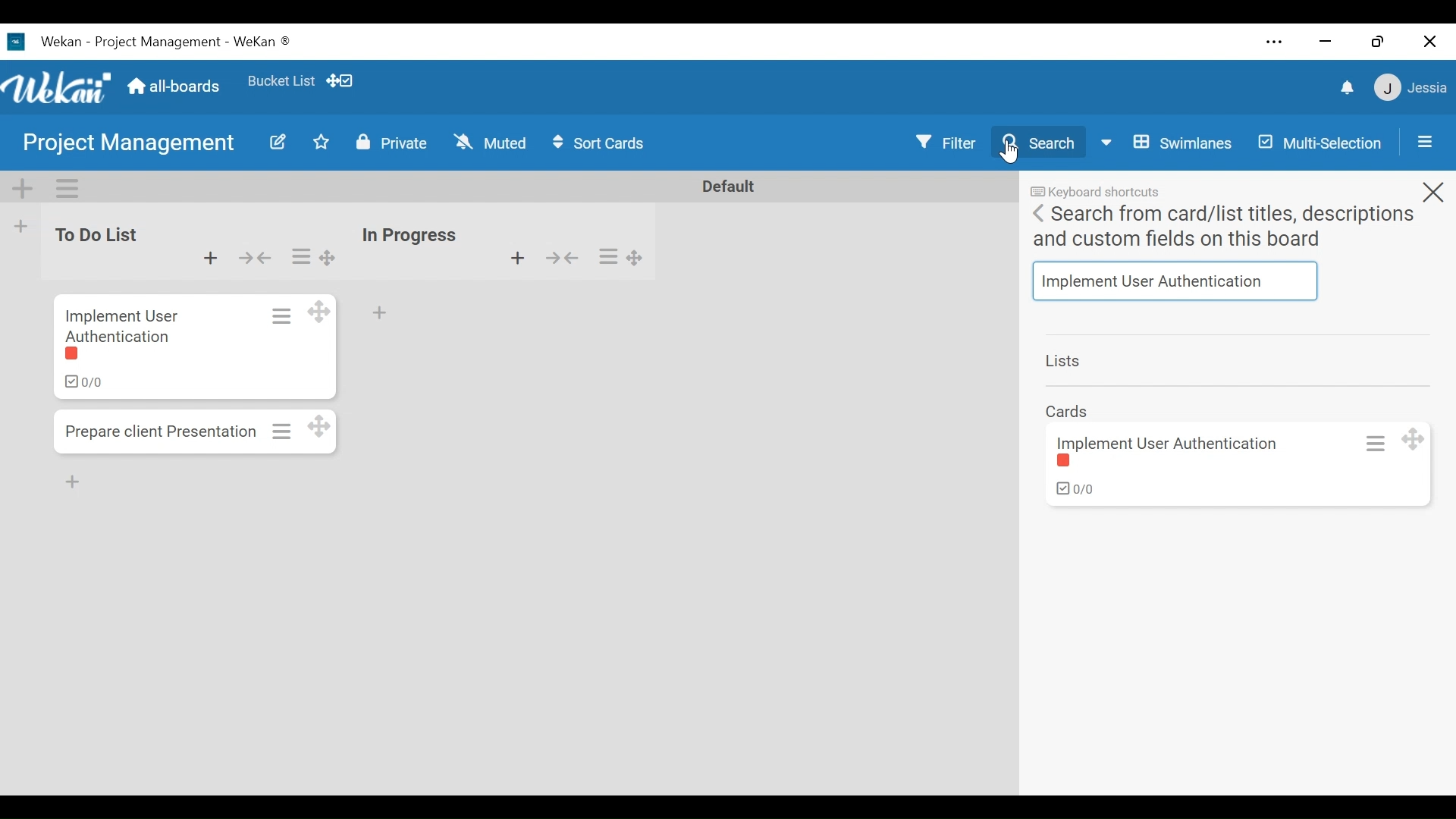 This screenshot has height=819, width=1456. I want to click on Implement user authentication, so click(125, 323).